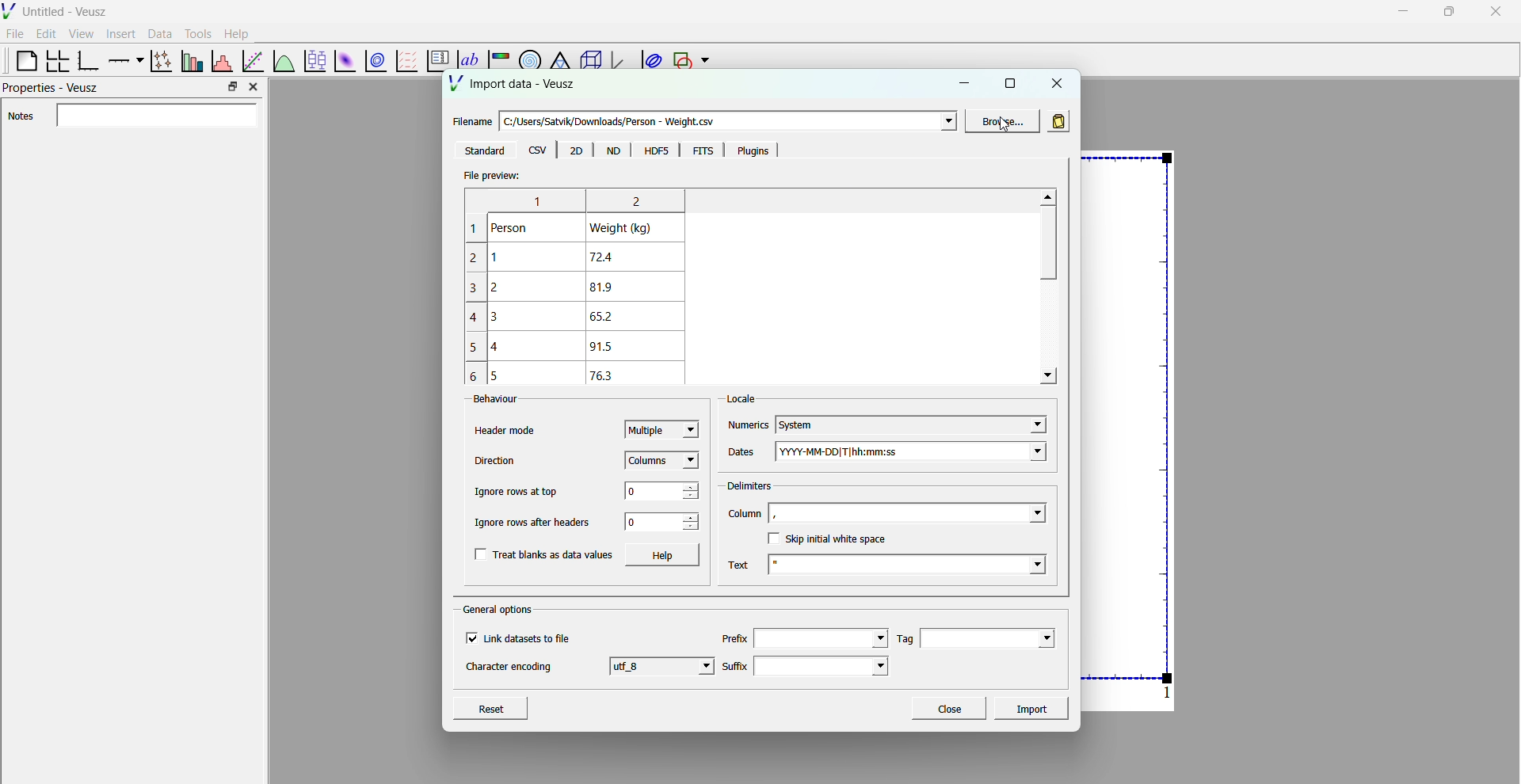 The image size is (1521, 784). I want to click on Prefix, so click(734, 634).